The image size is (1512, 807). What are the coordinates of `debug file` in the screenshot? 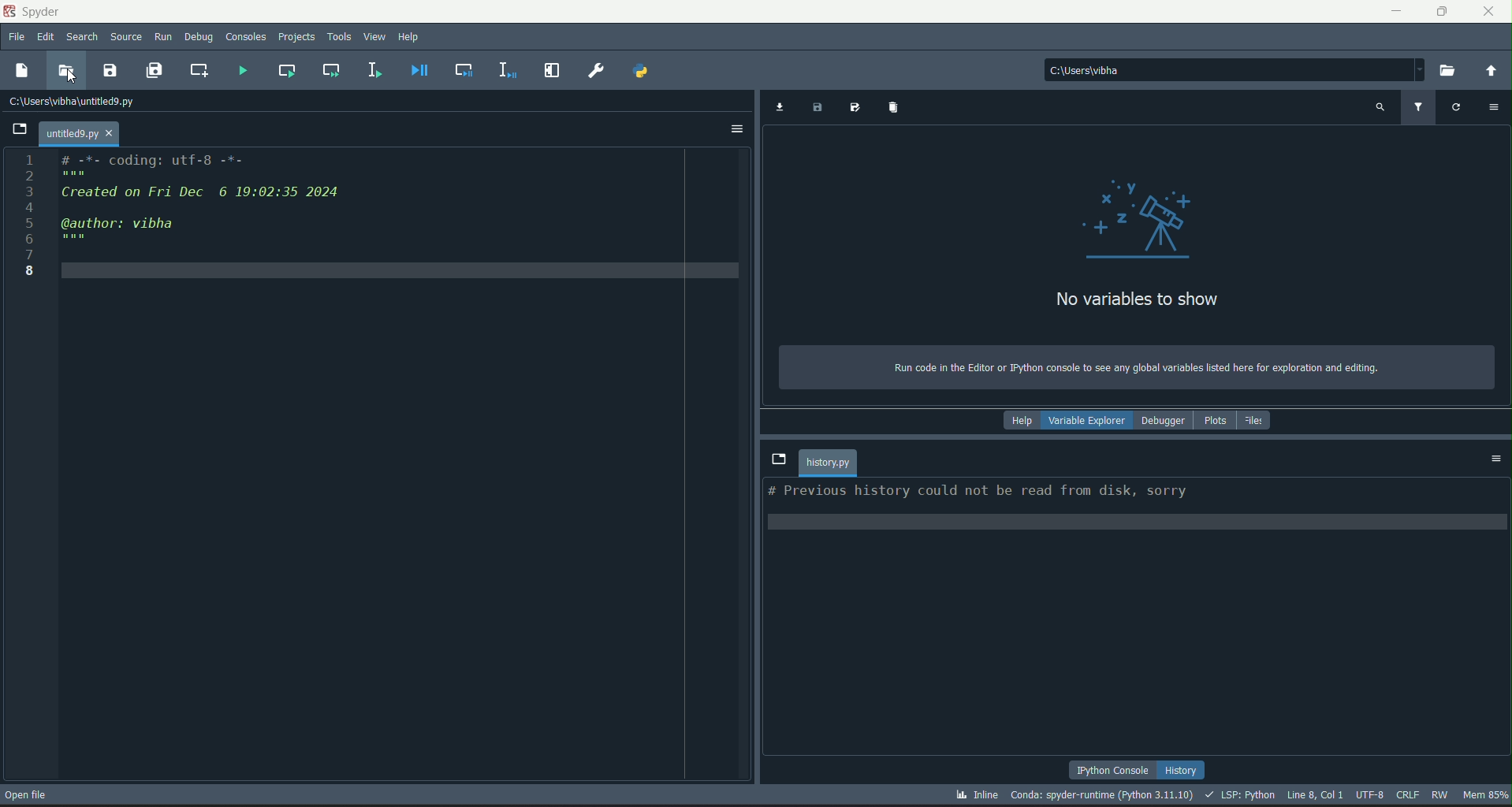 It's located at (416, 72).